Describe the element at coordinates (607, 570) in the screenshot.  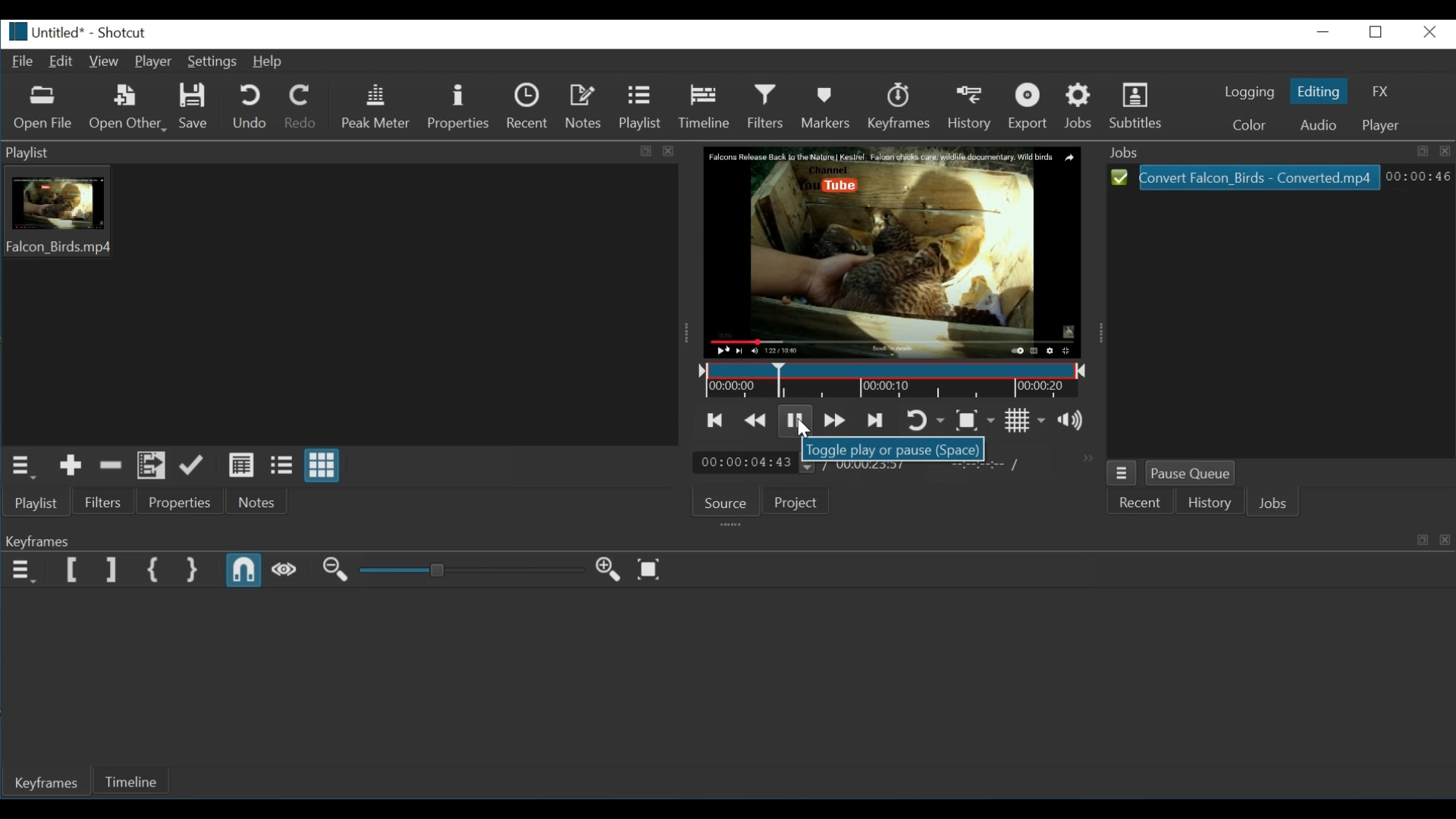
I see `Zoom in` at that location.